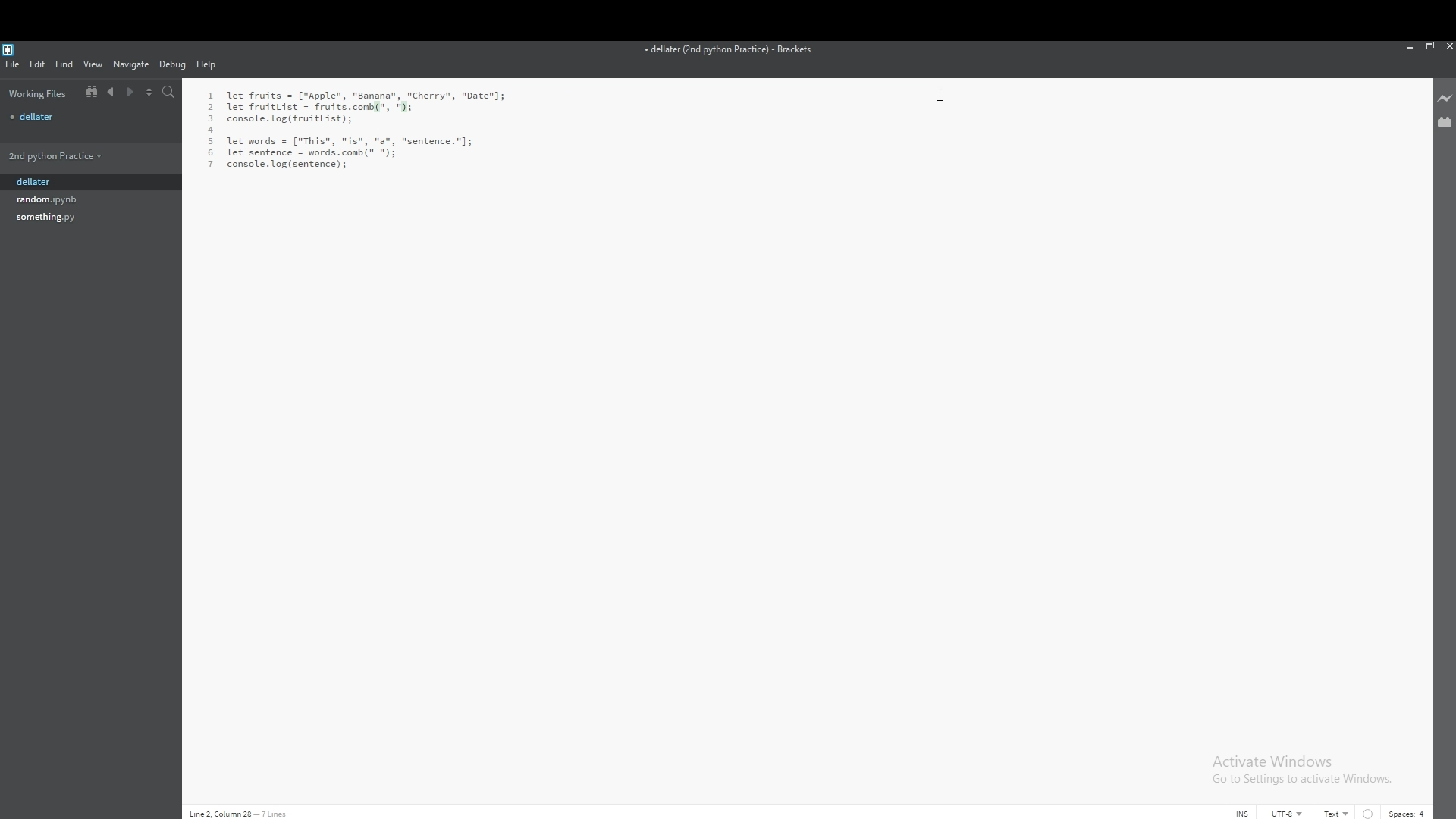  I want to click on split view, so click(150, 91).